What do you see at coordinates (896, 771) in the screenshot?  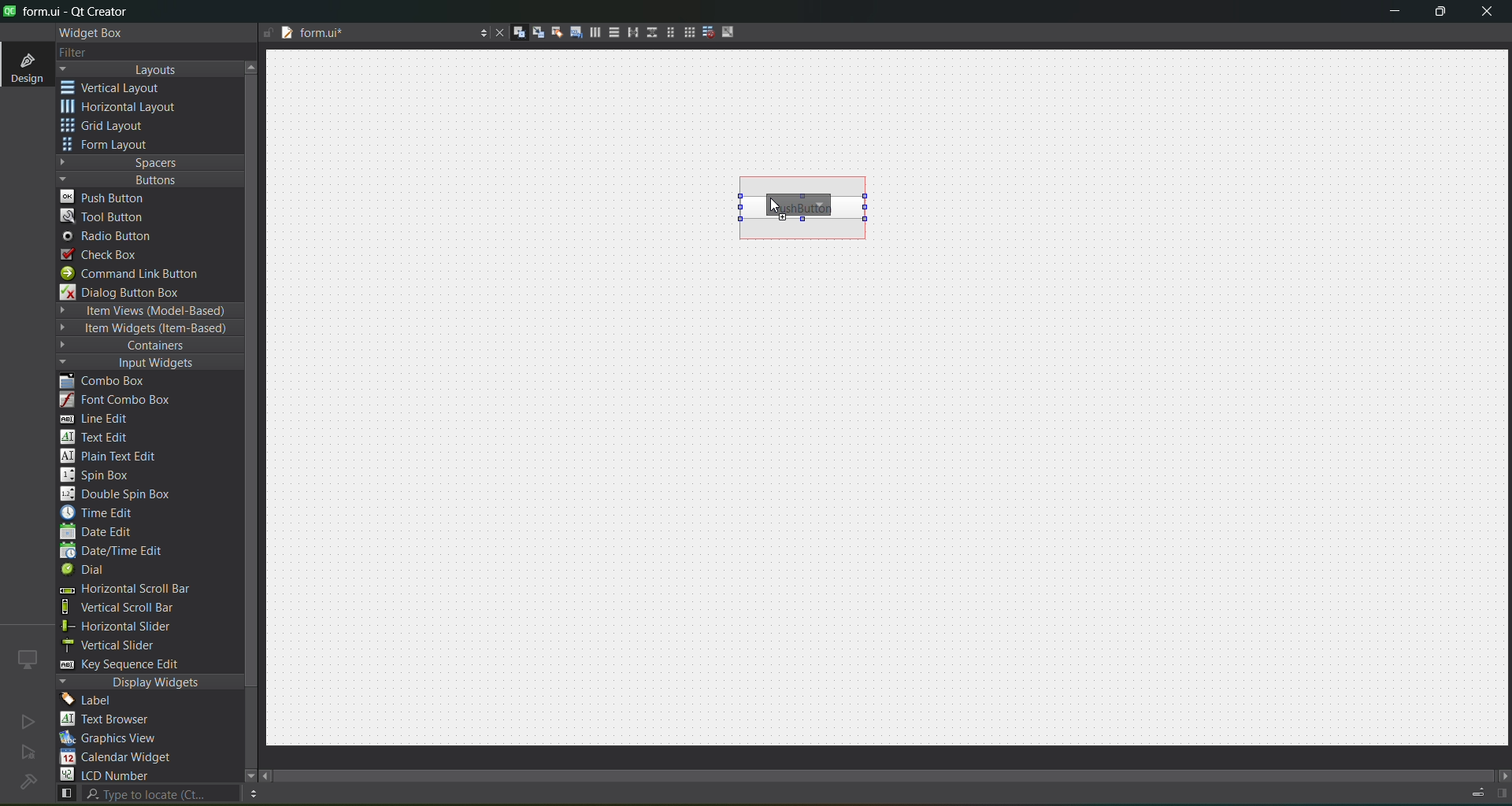 I see `scroll bar` at bounding box center [896, 771].